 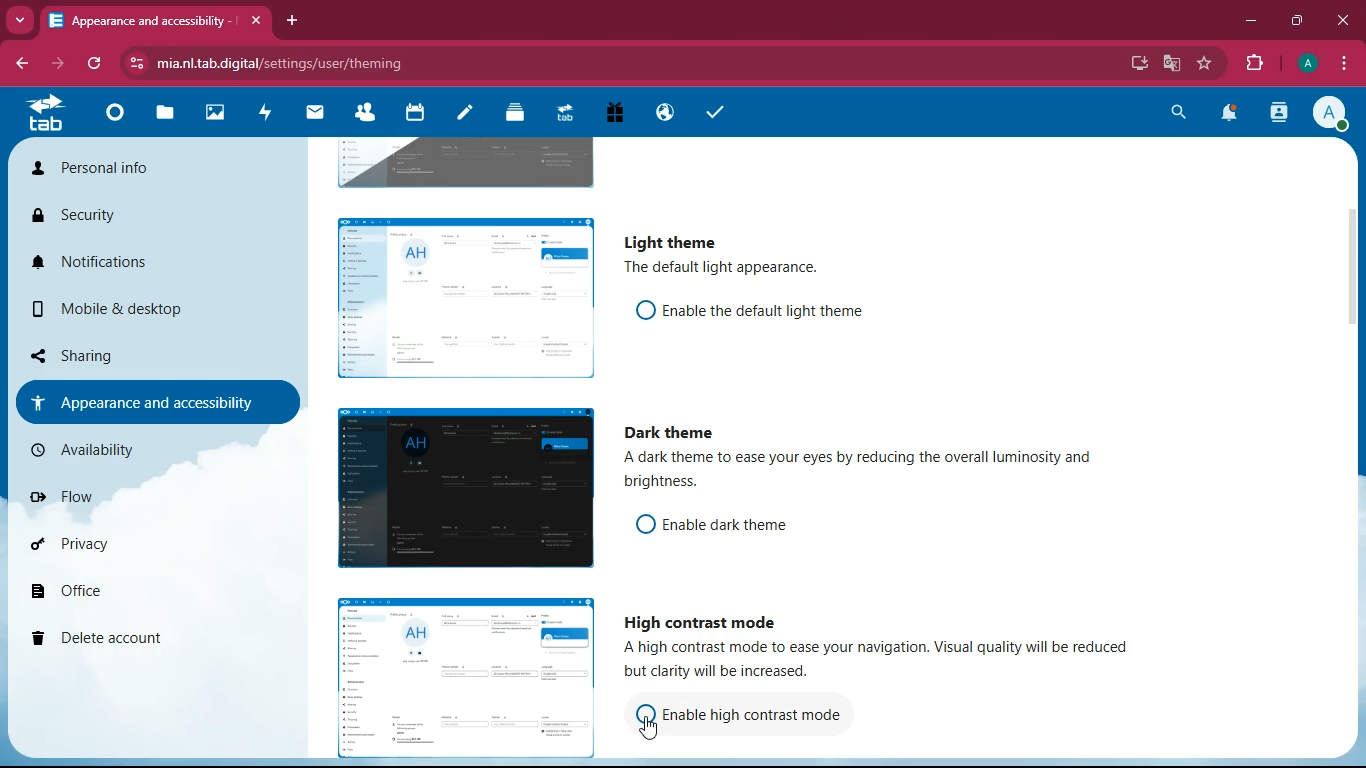 What do you see at coordinates (1172, 63) in the screenshot?
I see `google translate` at bounding box center [1172, 63].